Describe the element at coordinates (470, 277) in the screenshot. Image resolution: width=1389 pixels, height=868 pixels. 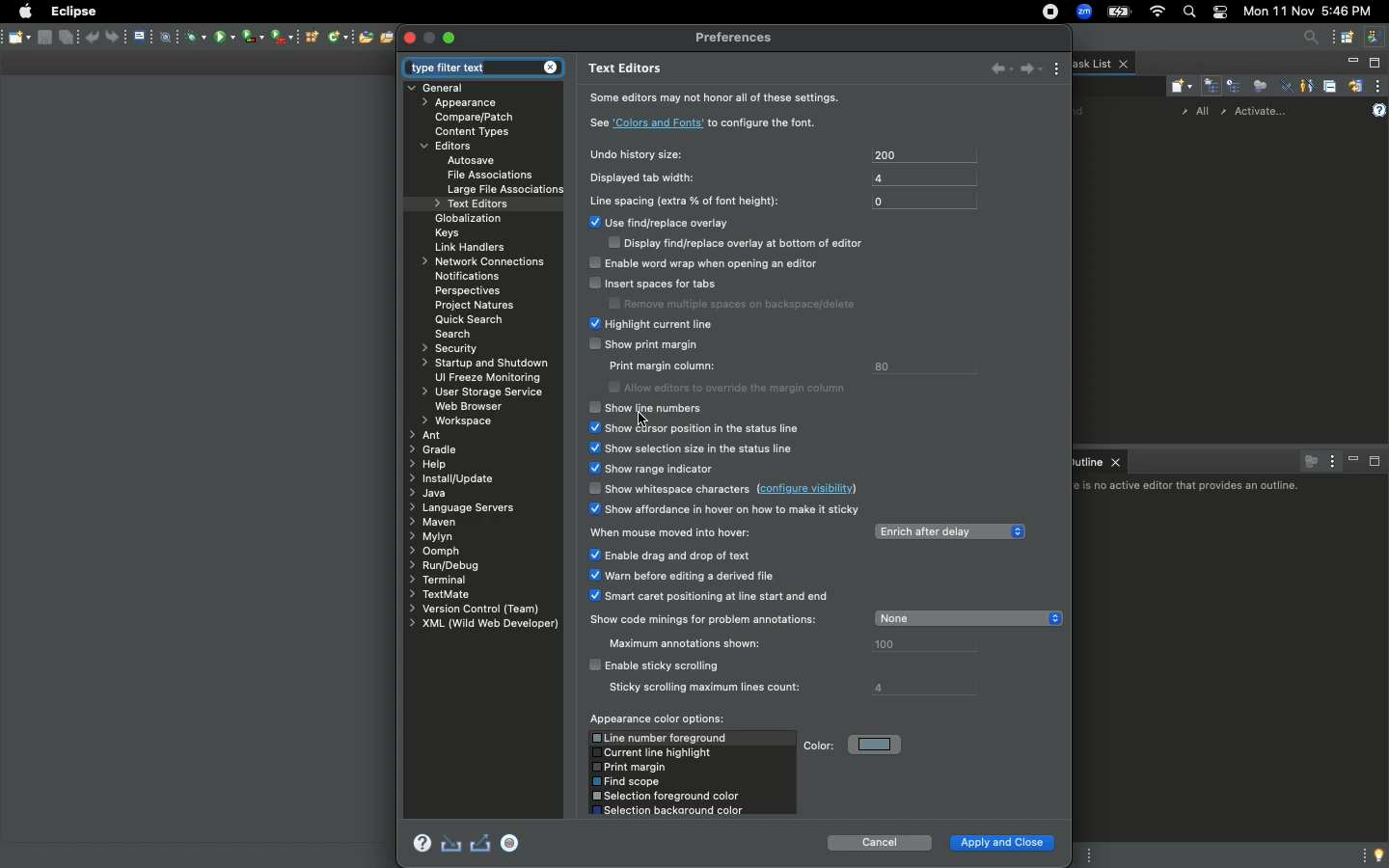
I see `Notifications` at that location.